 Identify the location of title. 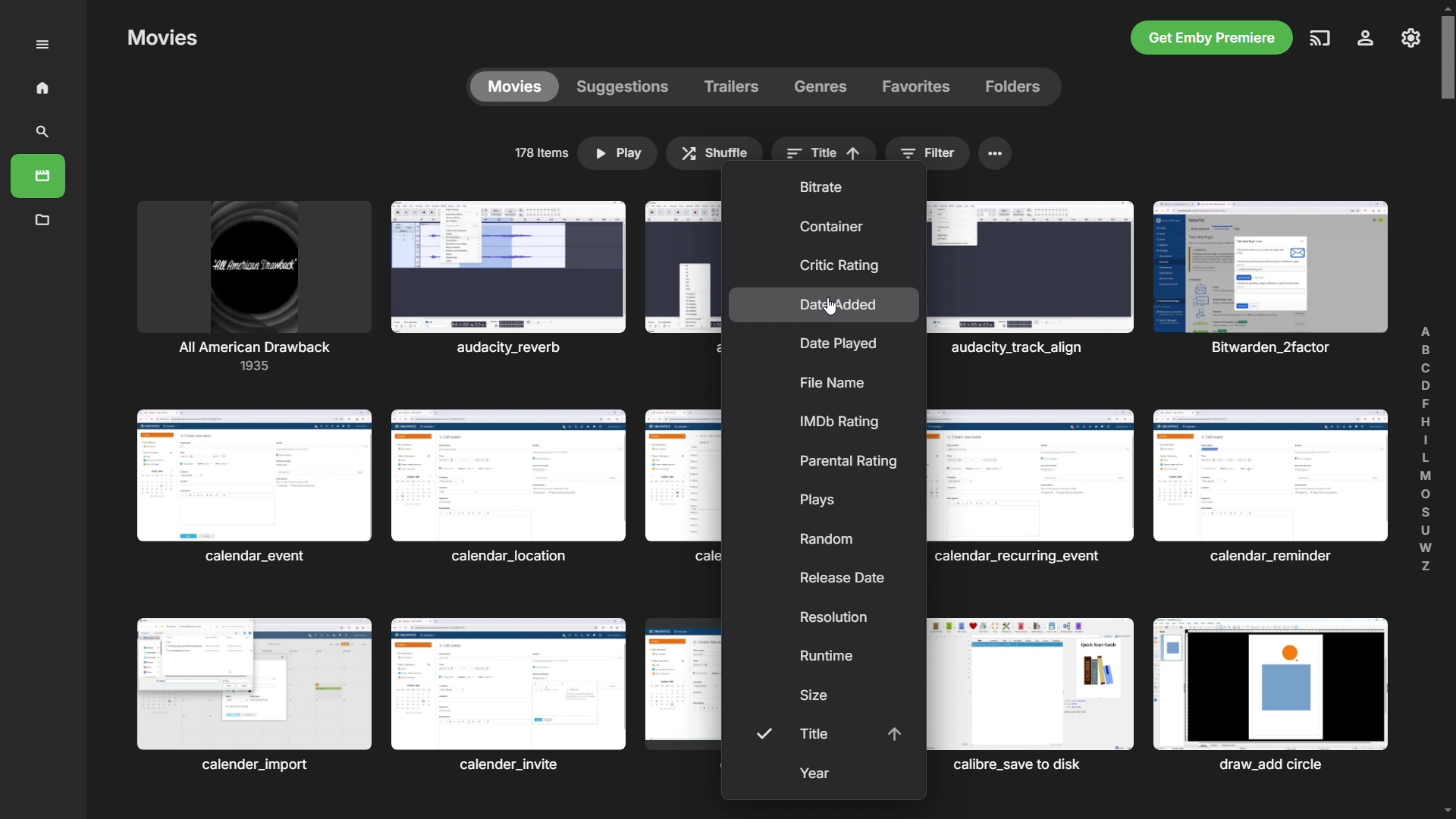
(823, 730).